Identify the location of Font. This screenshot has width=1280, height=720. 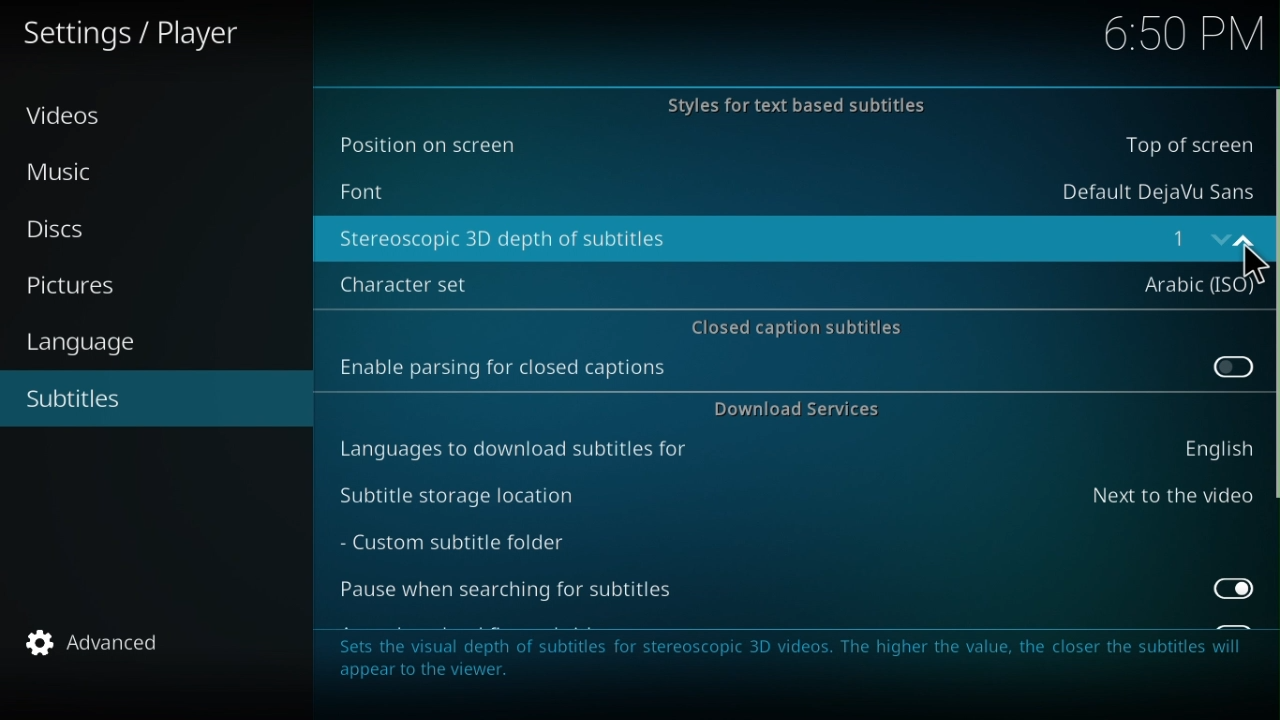
(791, 188).